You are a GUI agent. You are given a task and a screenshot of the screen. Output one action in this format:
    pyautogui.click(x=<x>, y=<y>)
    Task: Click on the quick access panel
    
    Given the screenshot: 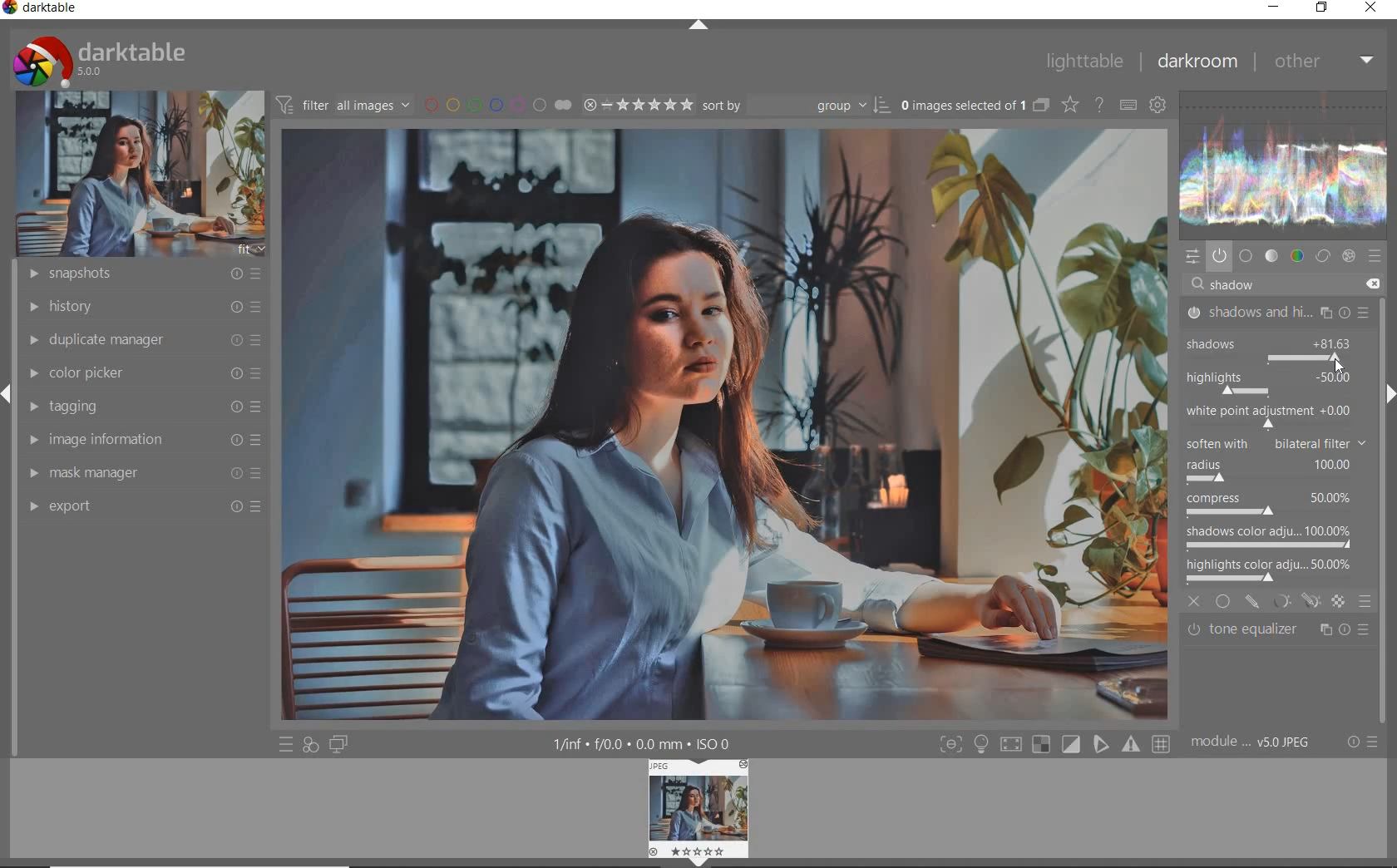 What is the action you would take?
    pyautogui.click(x=1194, y=258)
    